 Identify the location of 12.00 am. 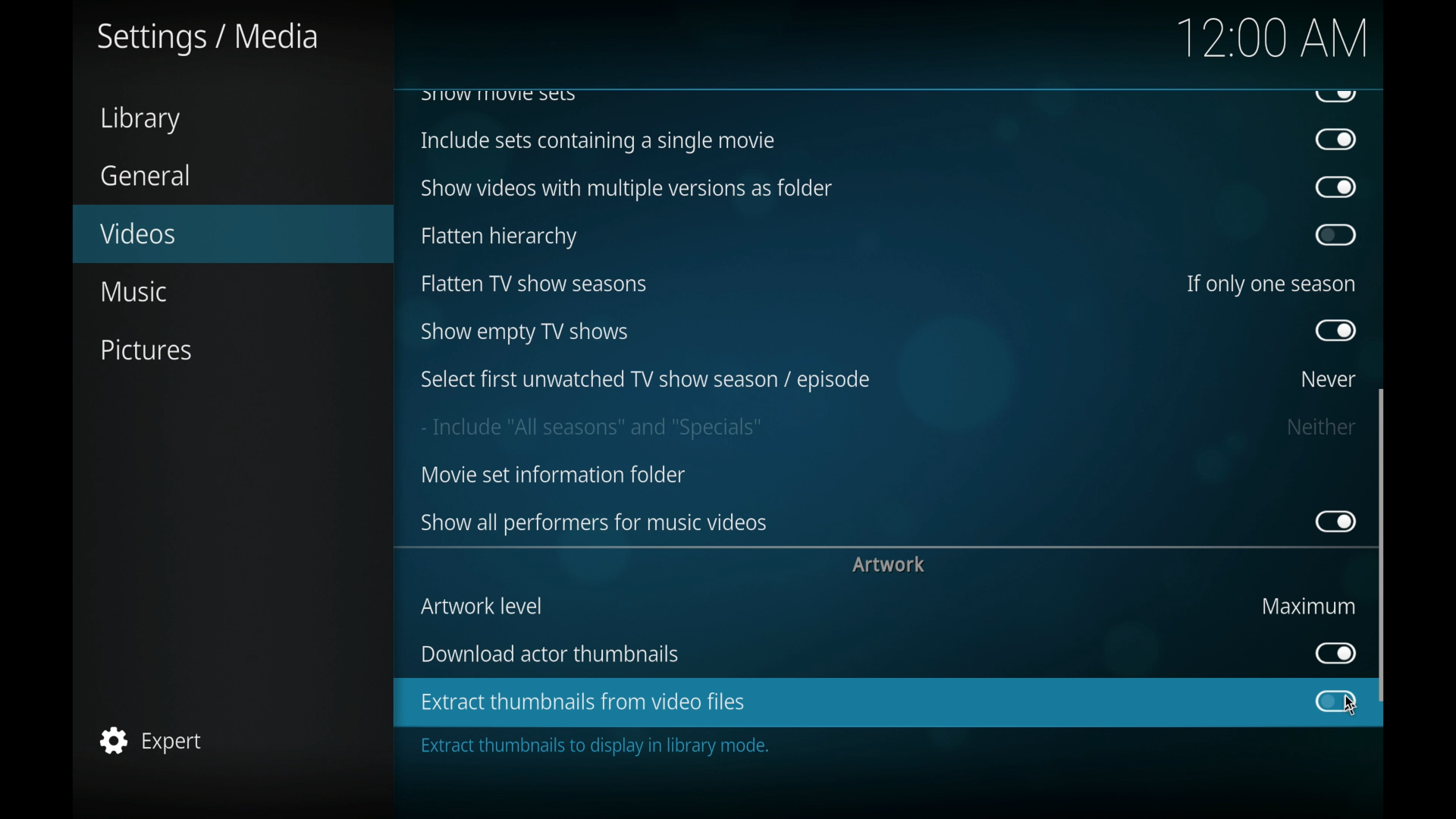
(1273, 38).